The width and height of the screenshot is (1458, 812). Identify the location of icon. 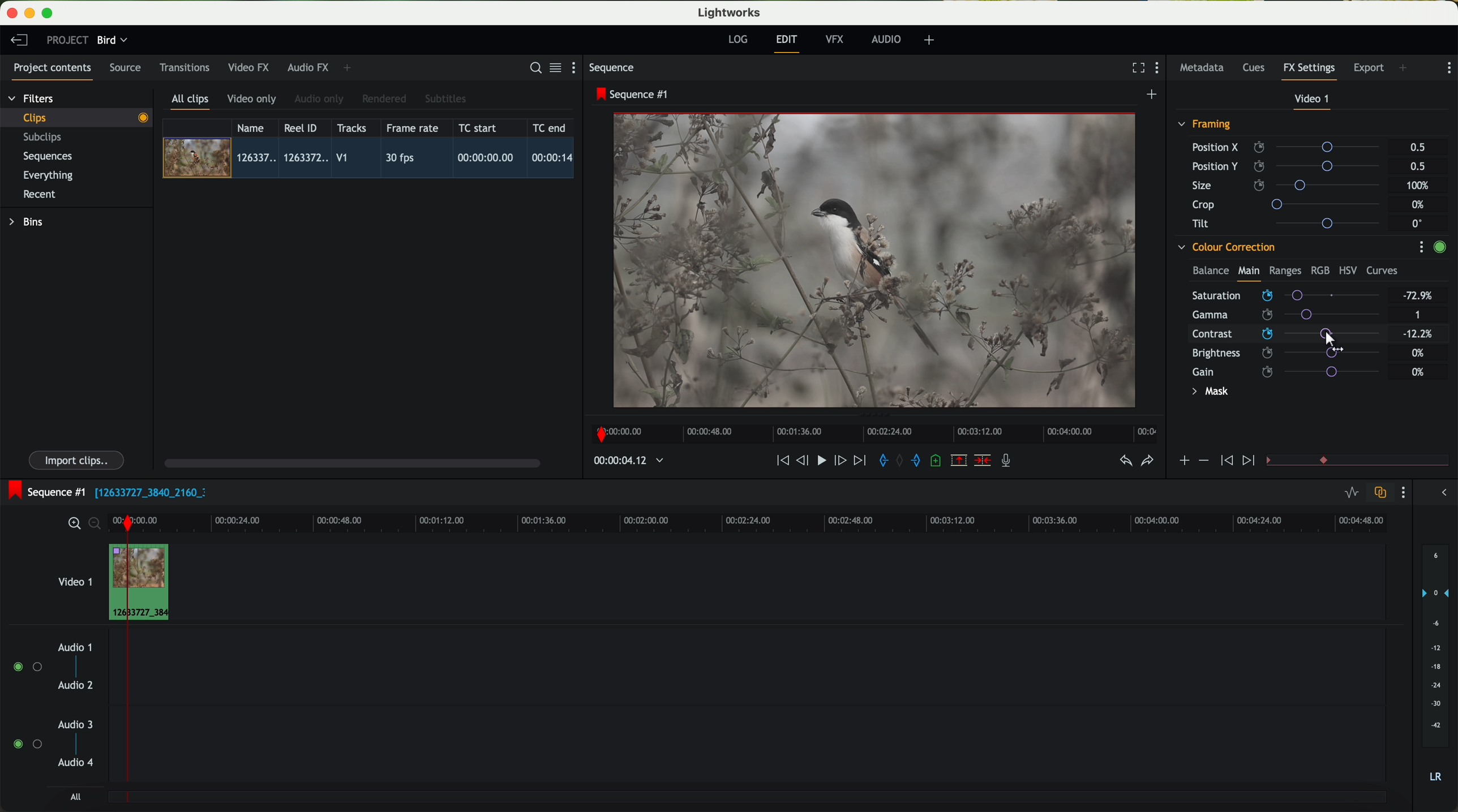
(1183, 462).